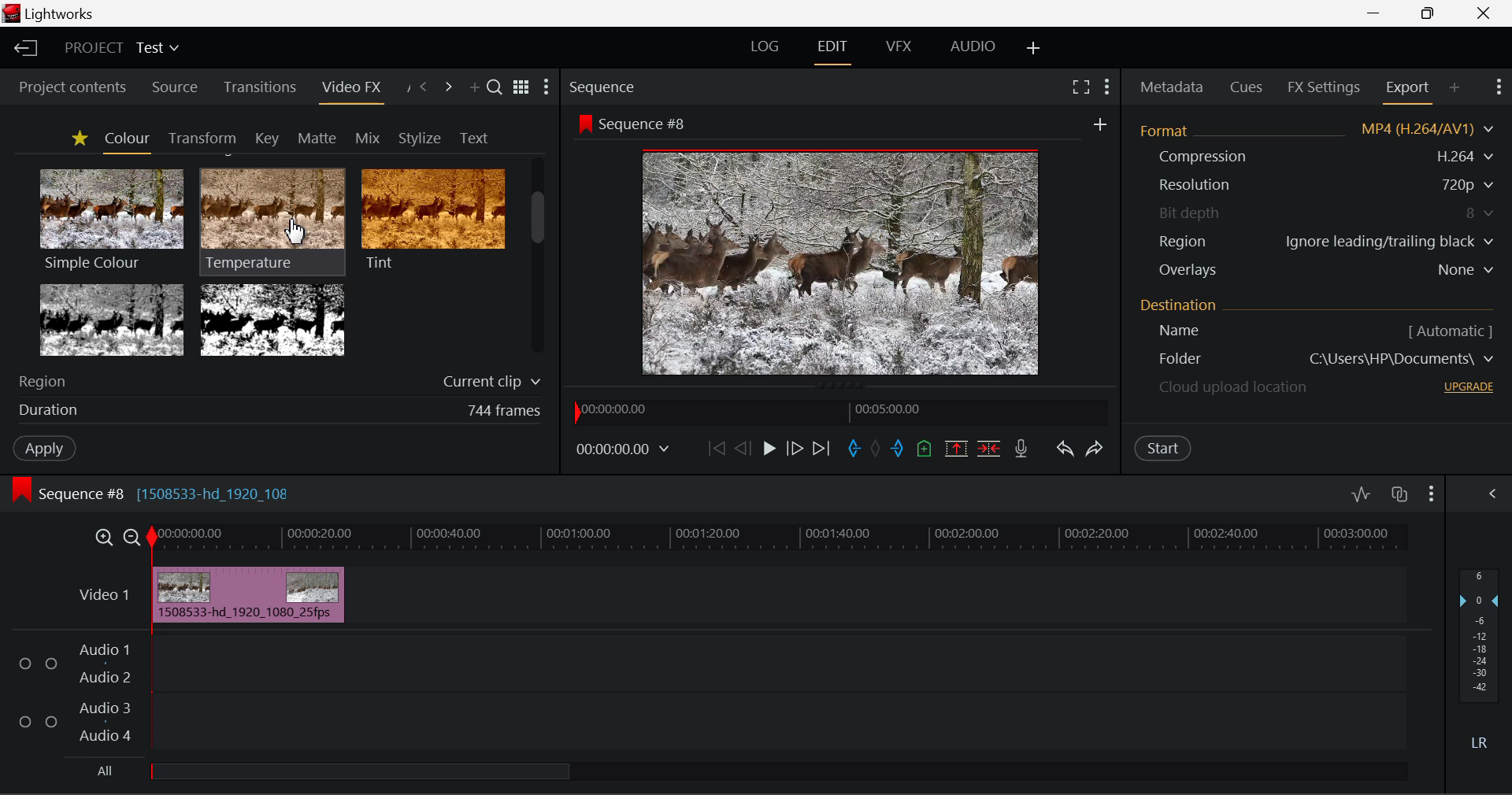  What do you see at coordinates (298, 235) in the screenshot?
I see `MOUSE_DOWN Cursor Position` at bounding box center [298, 235].